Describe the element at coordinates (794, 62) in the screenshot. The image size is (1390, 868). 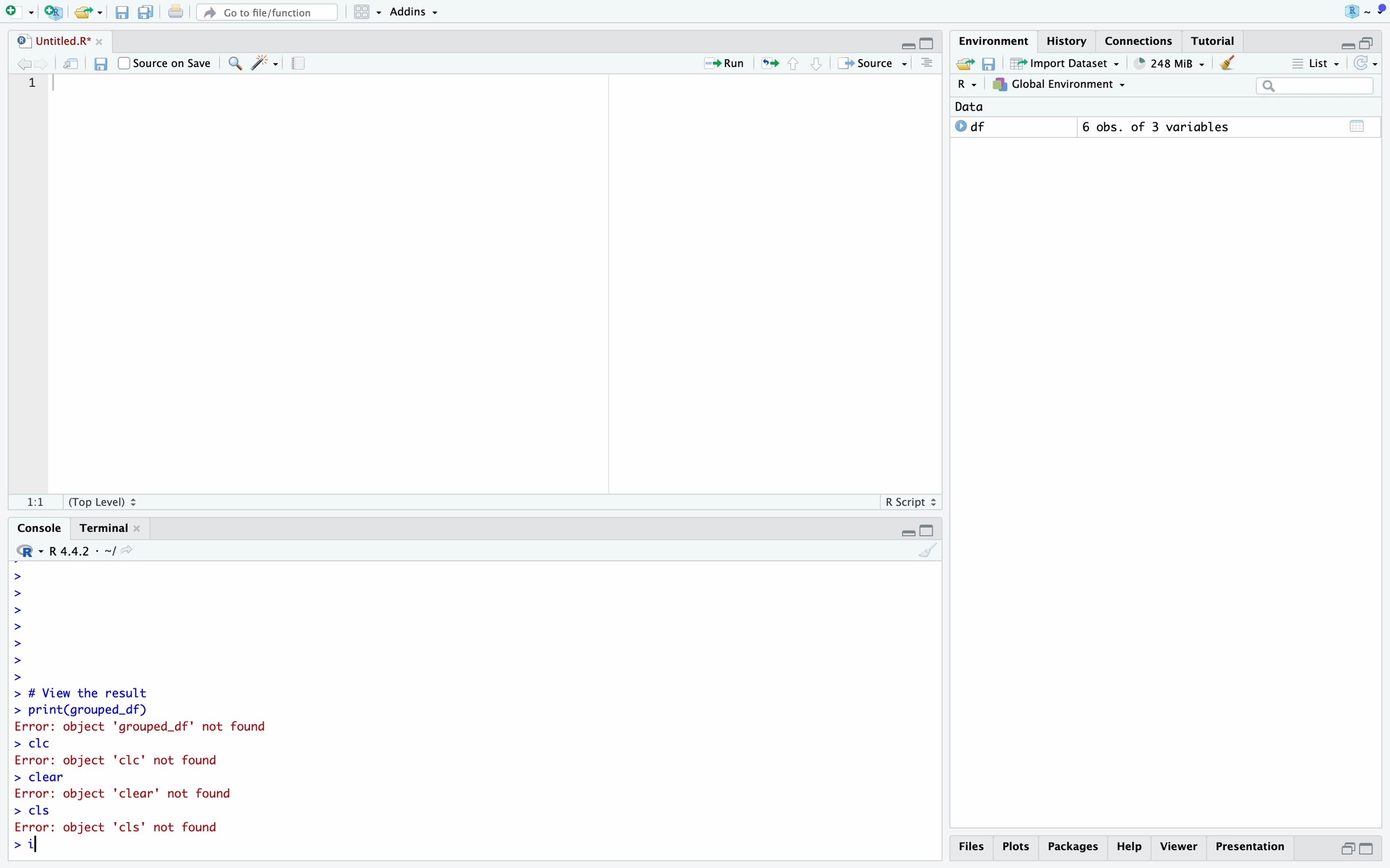
I see `Go to previous section` at that location.